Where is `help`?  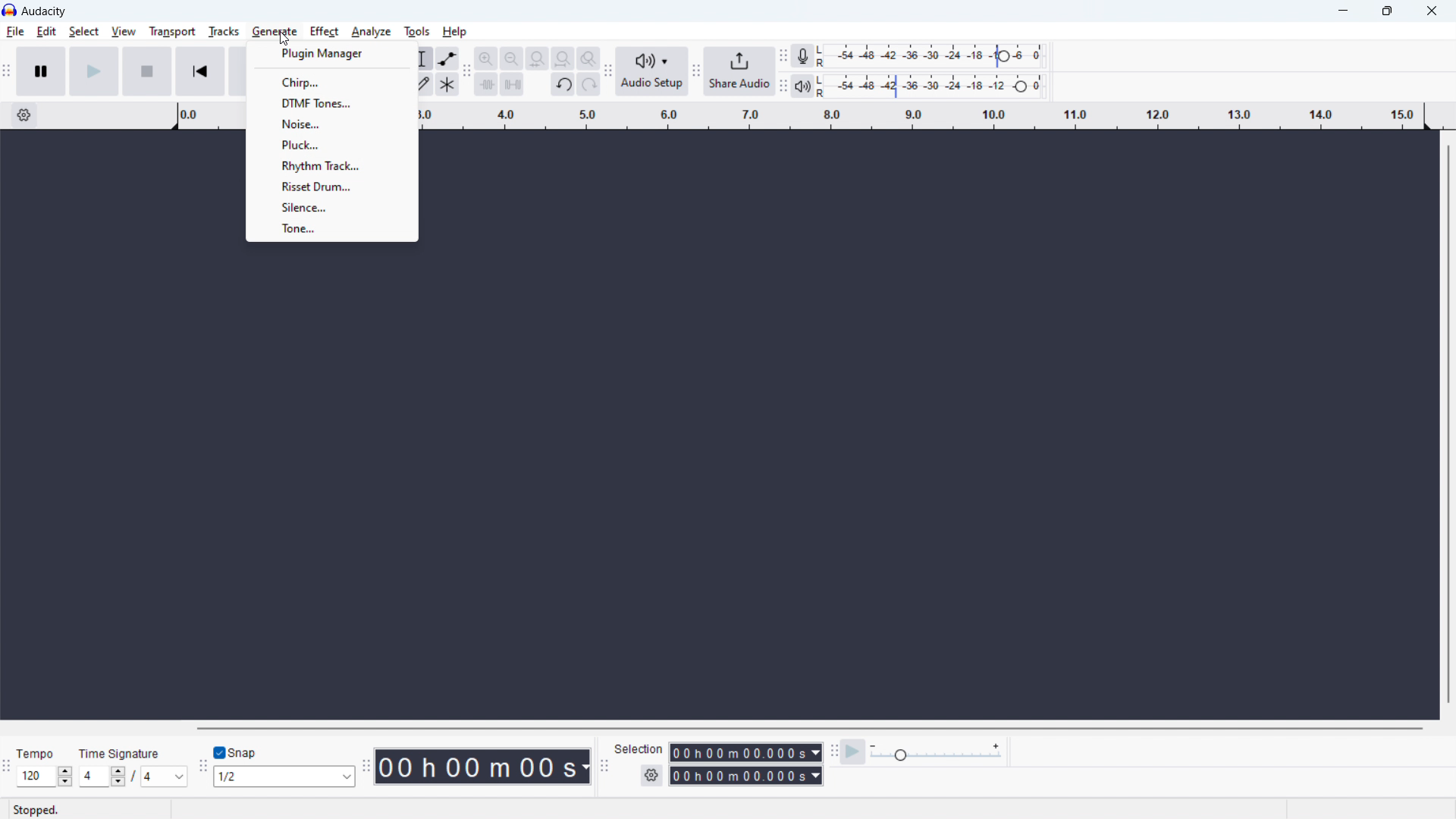 help is located at coordinates (455, 32).